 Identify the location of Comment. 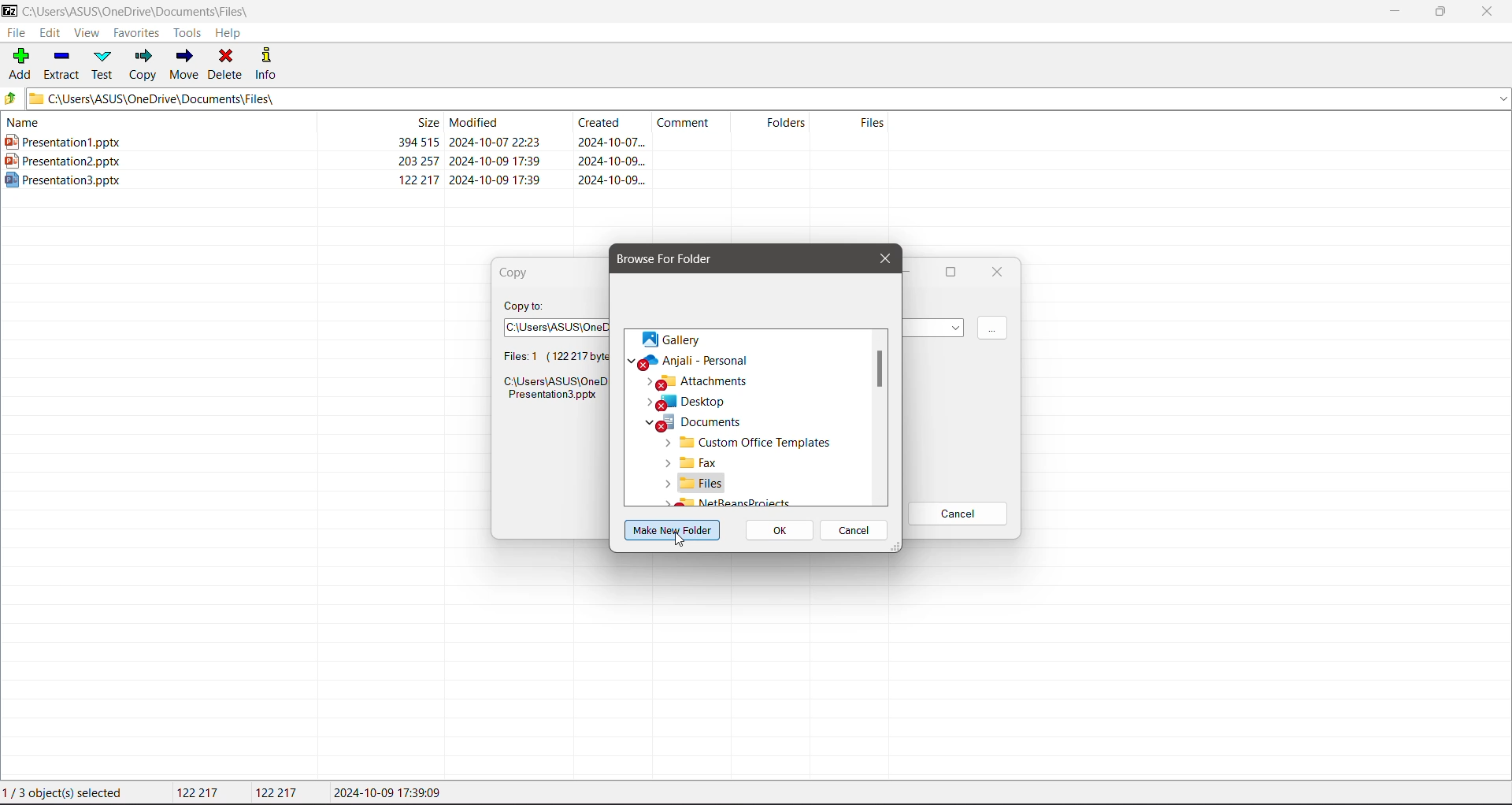
(695, 122).